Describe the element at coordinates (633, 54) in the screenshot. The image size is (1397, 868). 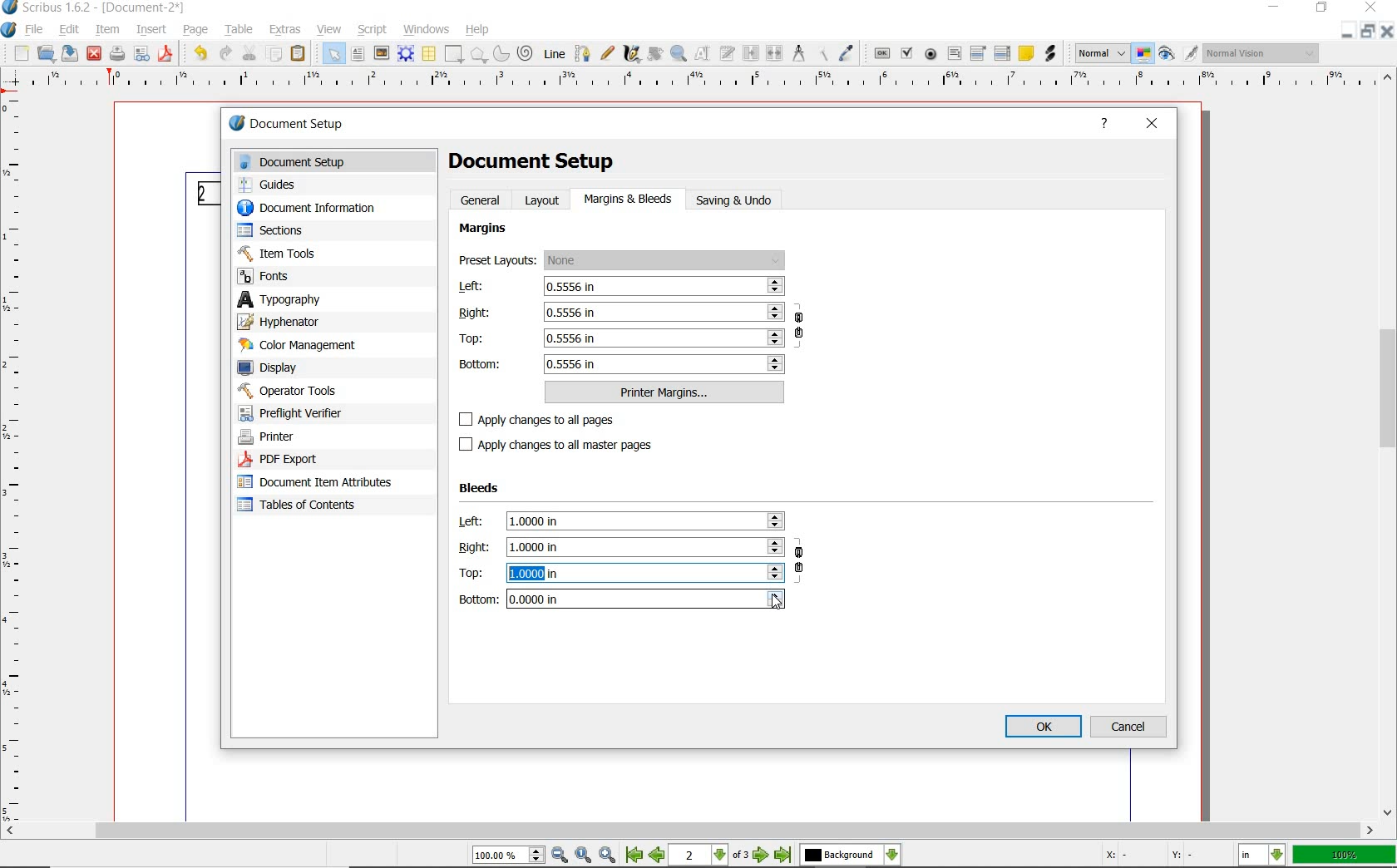
I see `calligraphic line` at that location.